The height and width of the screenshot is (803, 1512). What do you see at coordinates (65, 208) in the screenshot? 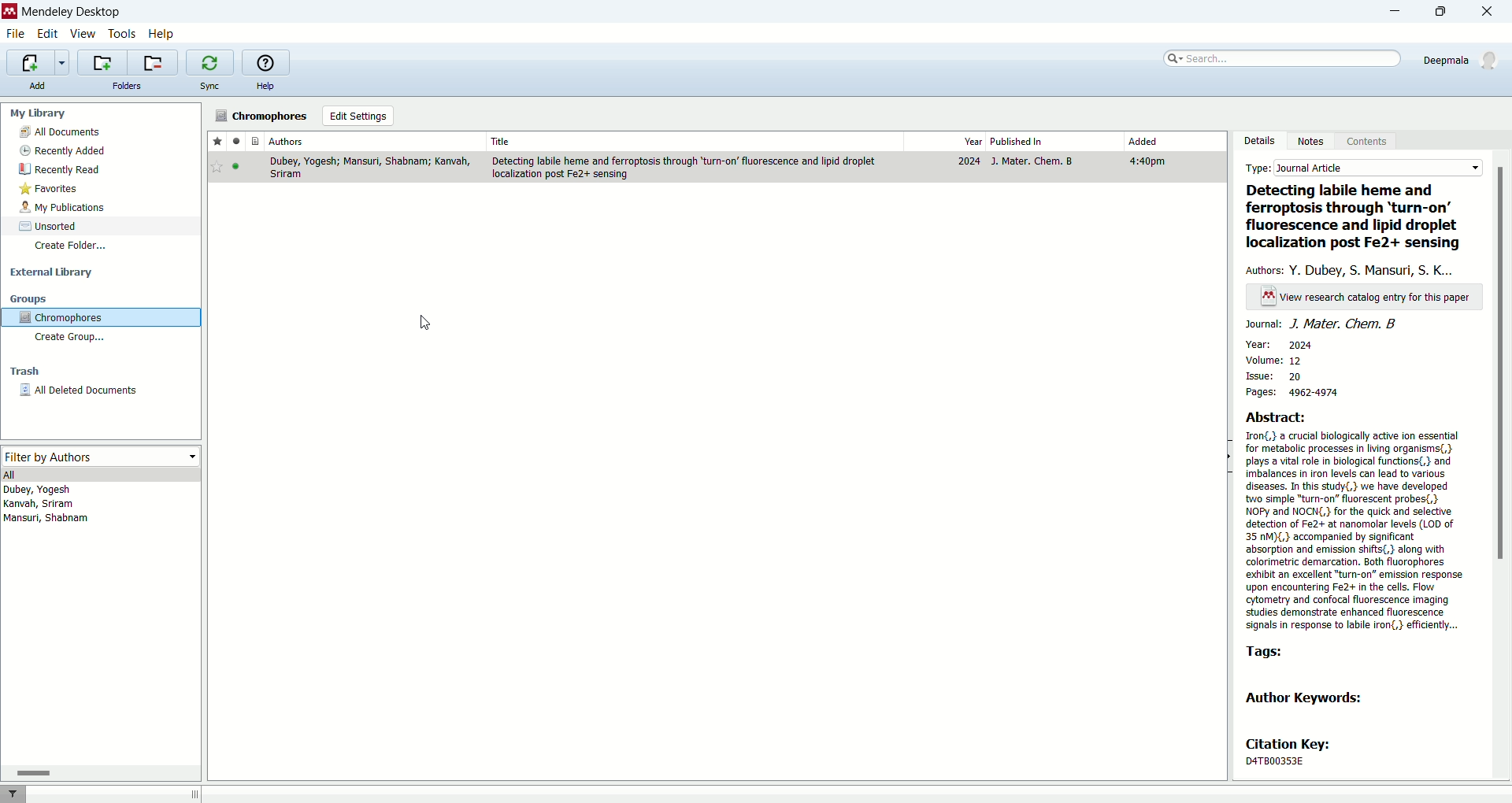
I see `my publications` at bounding box center [65, 208].